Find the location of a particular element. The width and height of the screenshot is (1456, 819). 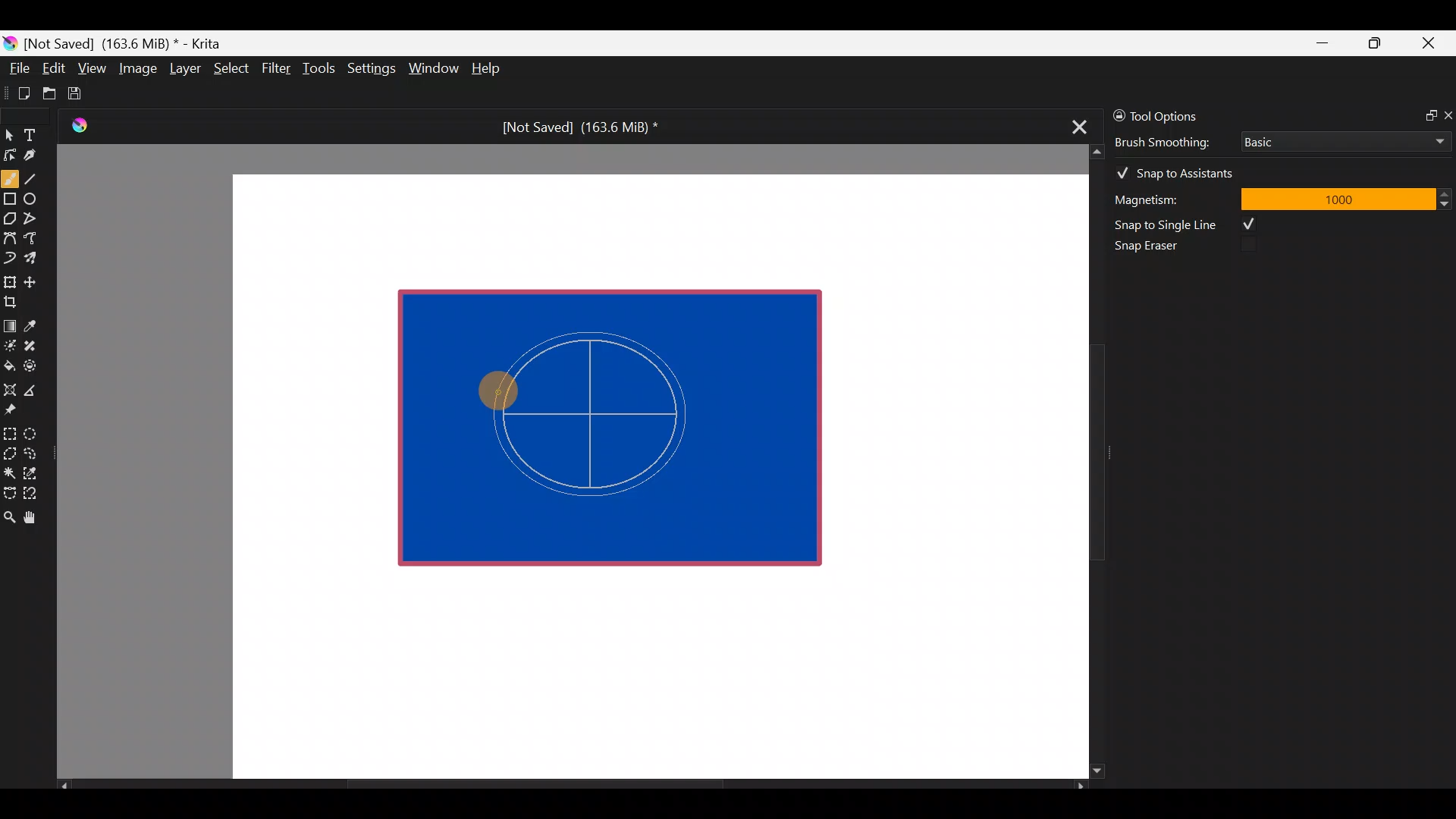

Transform a layer/selection is located at coordinates (9, 279).